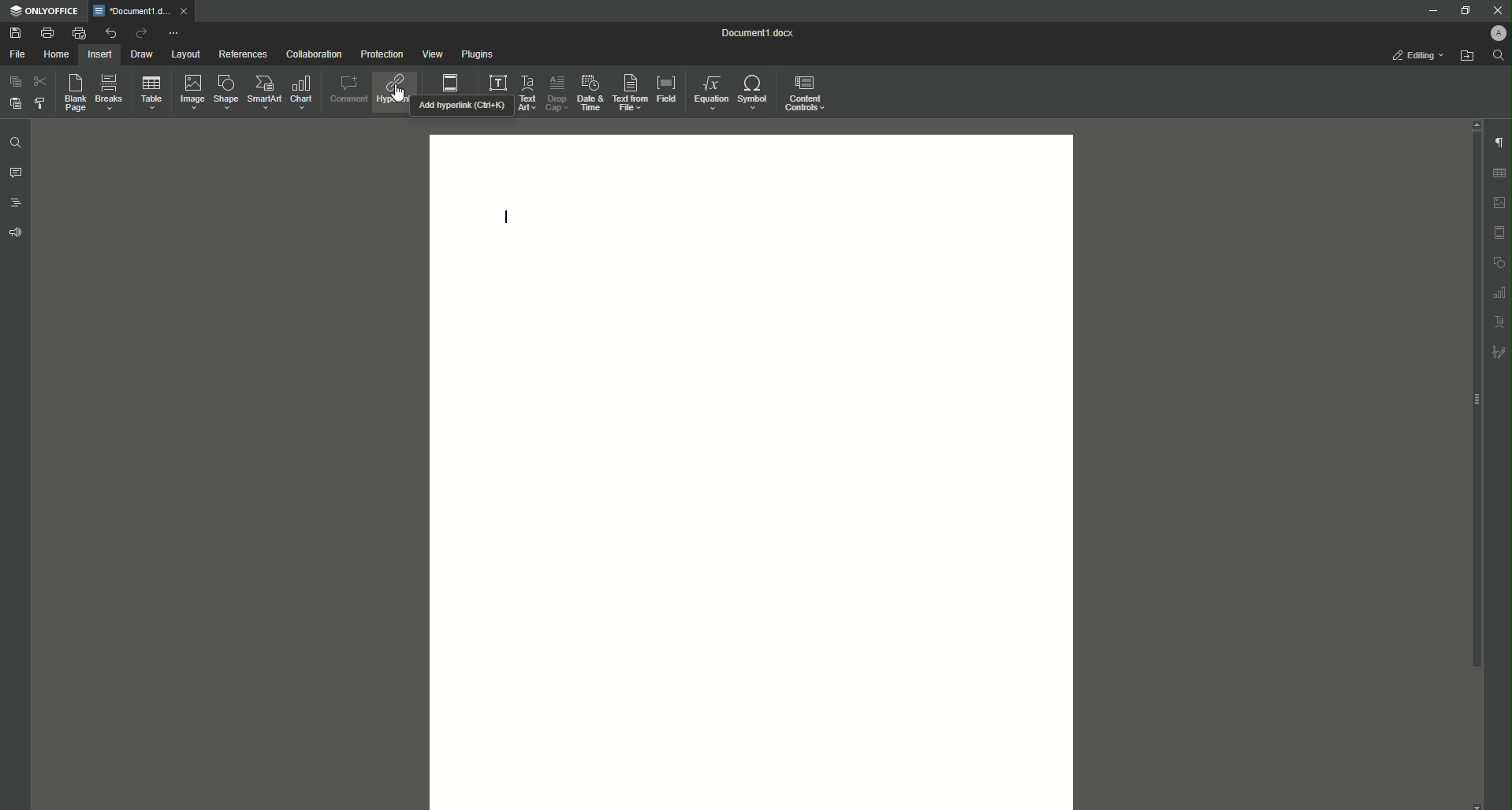  What do you see at coordinates (15, 81) in the screenshot?
I see `Copy` at bounding box center [15, 81].